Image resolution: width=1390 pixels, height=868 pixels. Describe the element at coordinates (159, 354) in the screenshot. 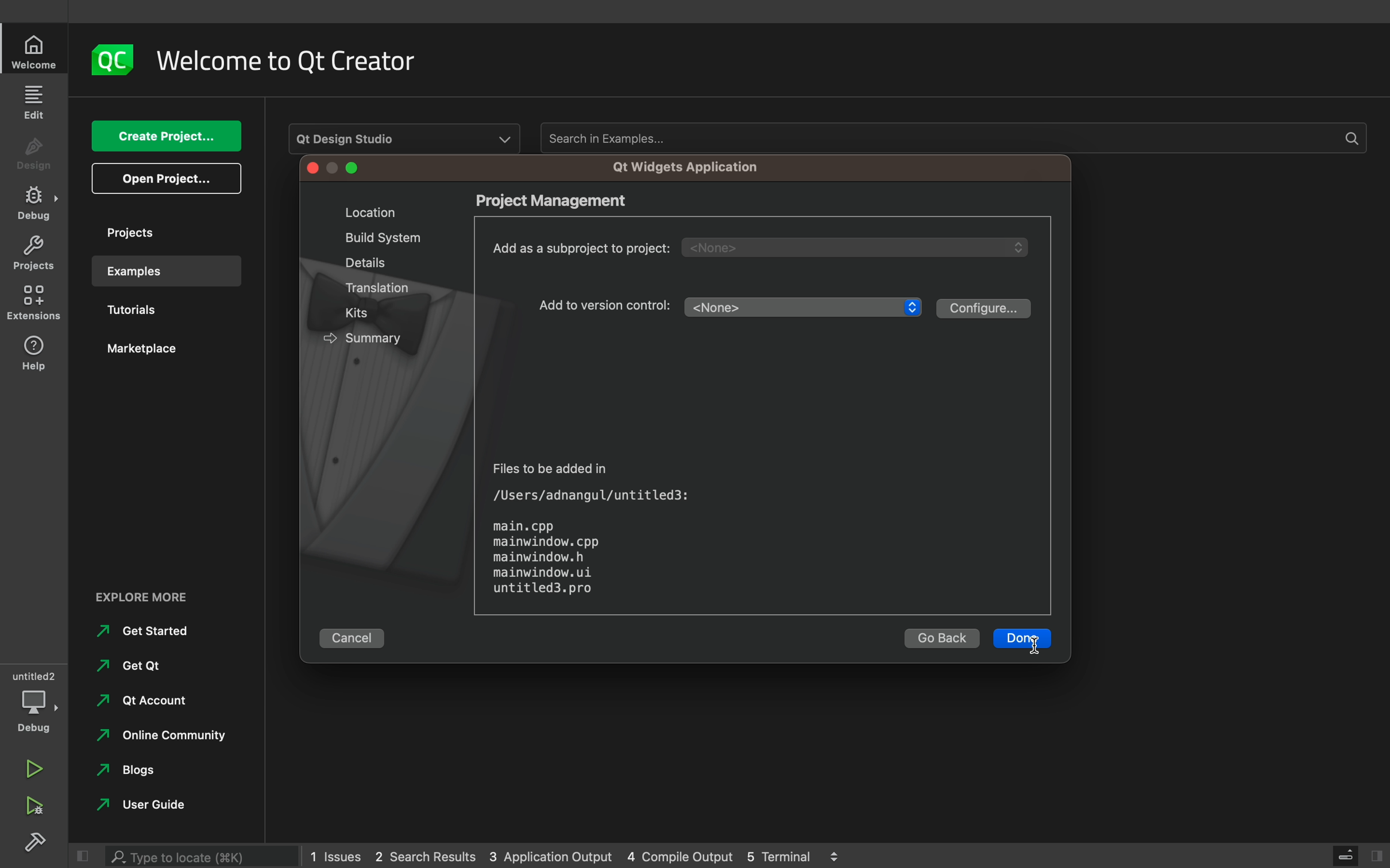

I see `marketplace` at that location.